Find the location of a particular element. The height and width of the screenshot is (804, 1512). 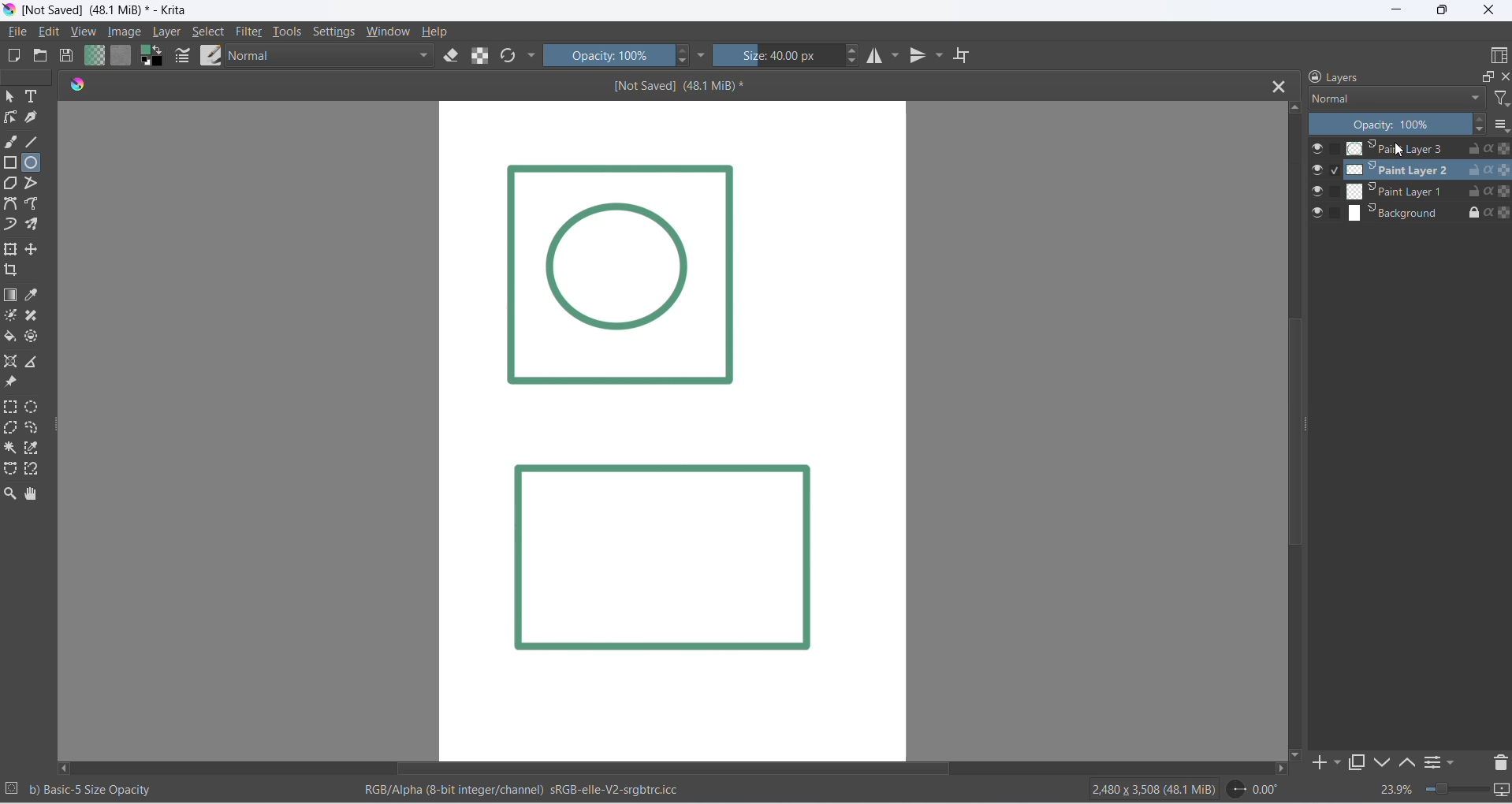

magnetic curve selection tool is located at coordinates (32, 471).